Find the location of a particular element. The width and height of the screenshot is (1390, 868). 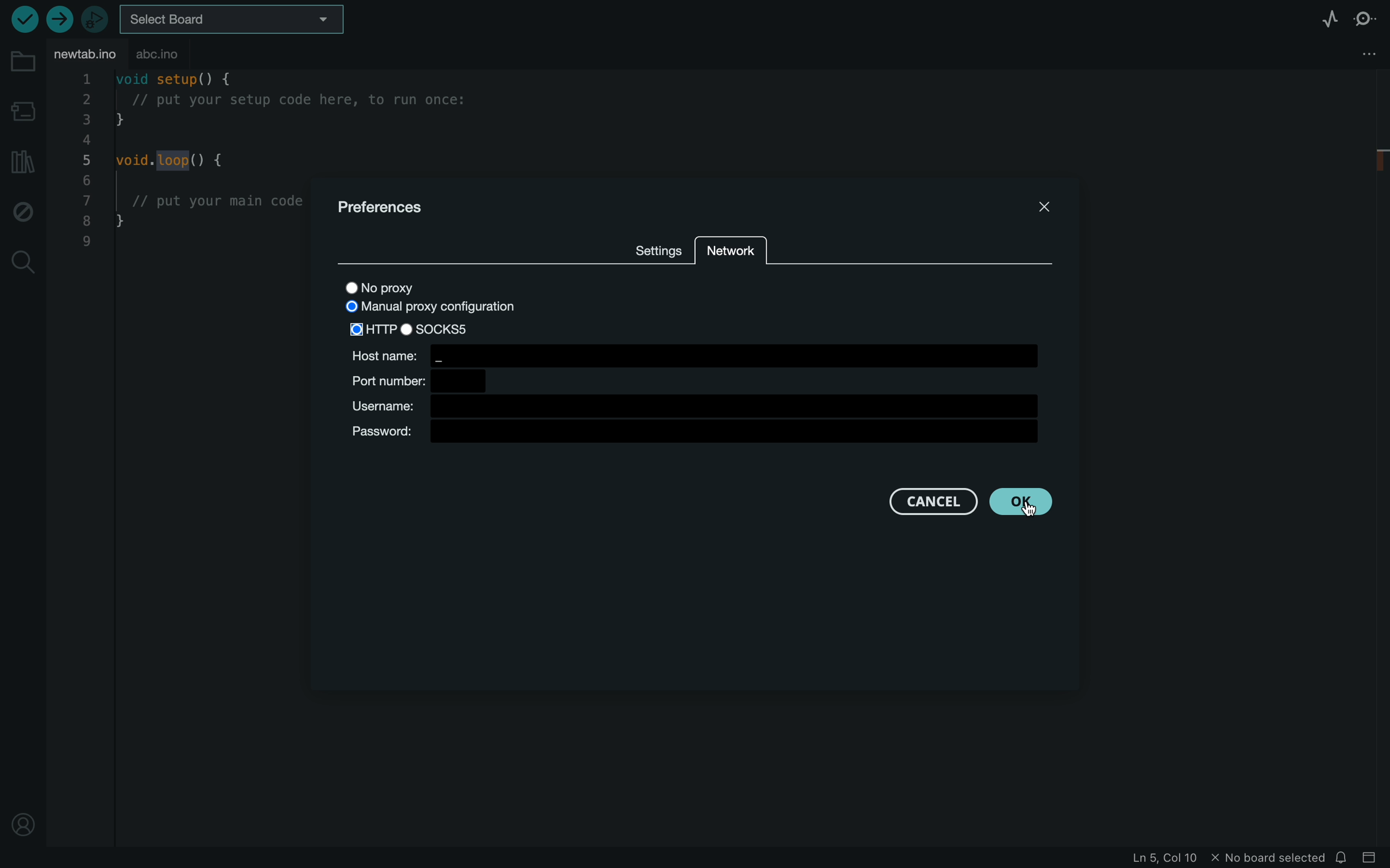

debug is located at coordinates (21, 212).